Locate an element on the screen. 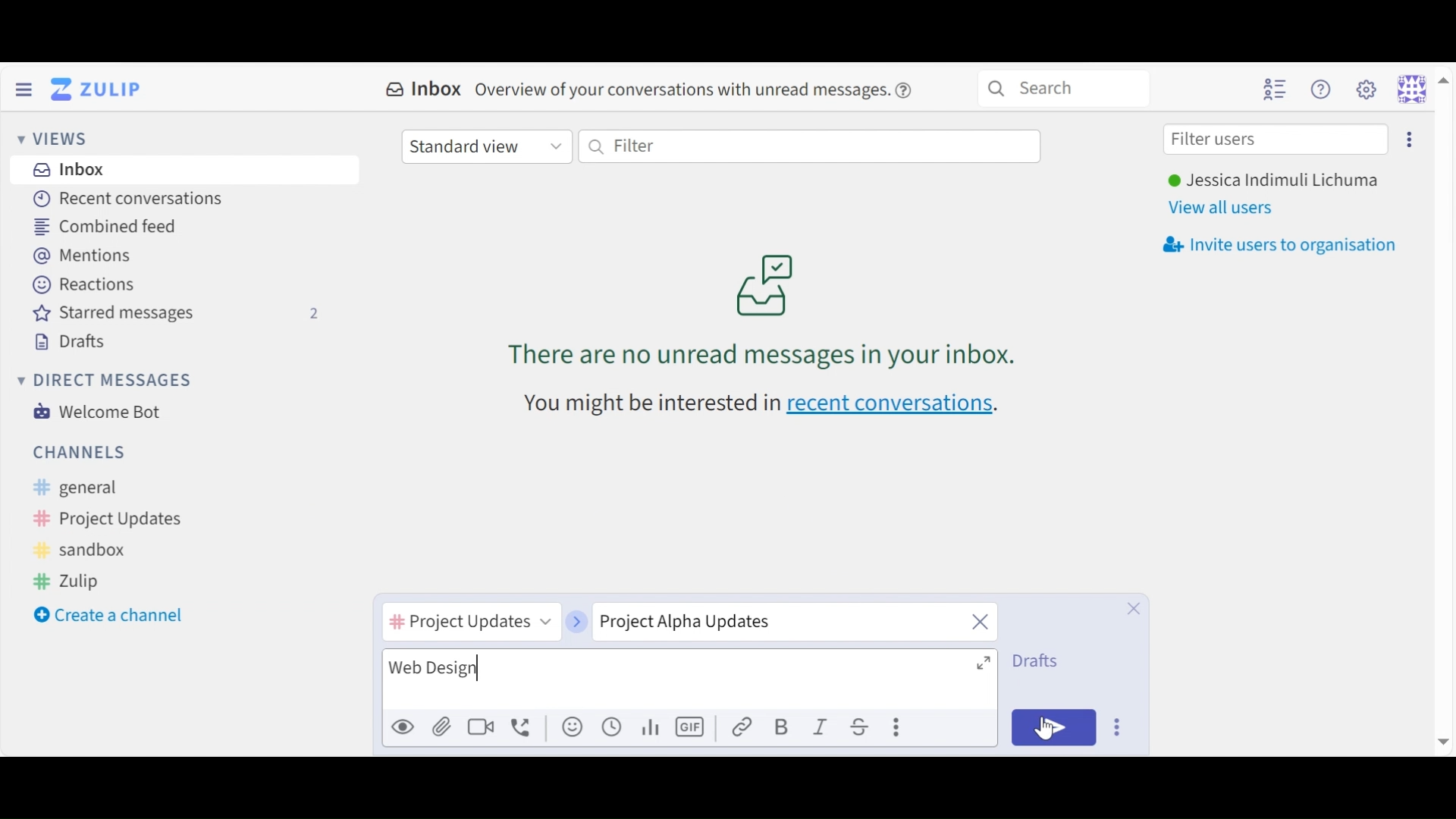 The height and width of the screenshot is (819, 1456). Drafts is located at coordinates (77, 340).